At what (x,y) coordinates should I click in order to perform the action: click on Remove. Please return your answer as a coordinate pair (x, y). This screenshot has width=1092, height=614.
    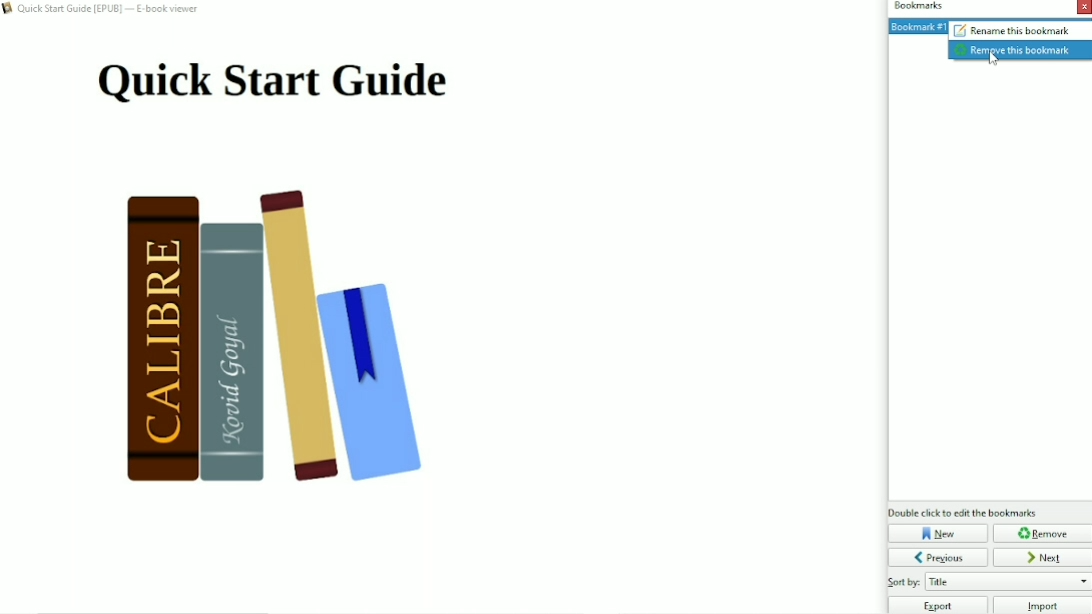
    Looking at the image, I should click on (1044, 534).